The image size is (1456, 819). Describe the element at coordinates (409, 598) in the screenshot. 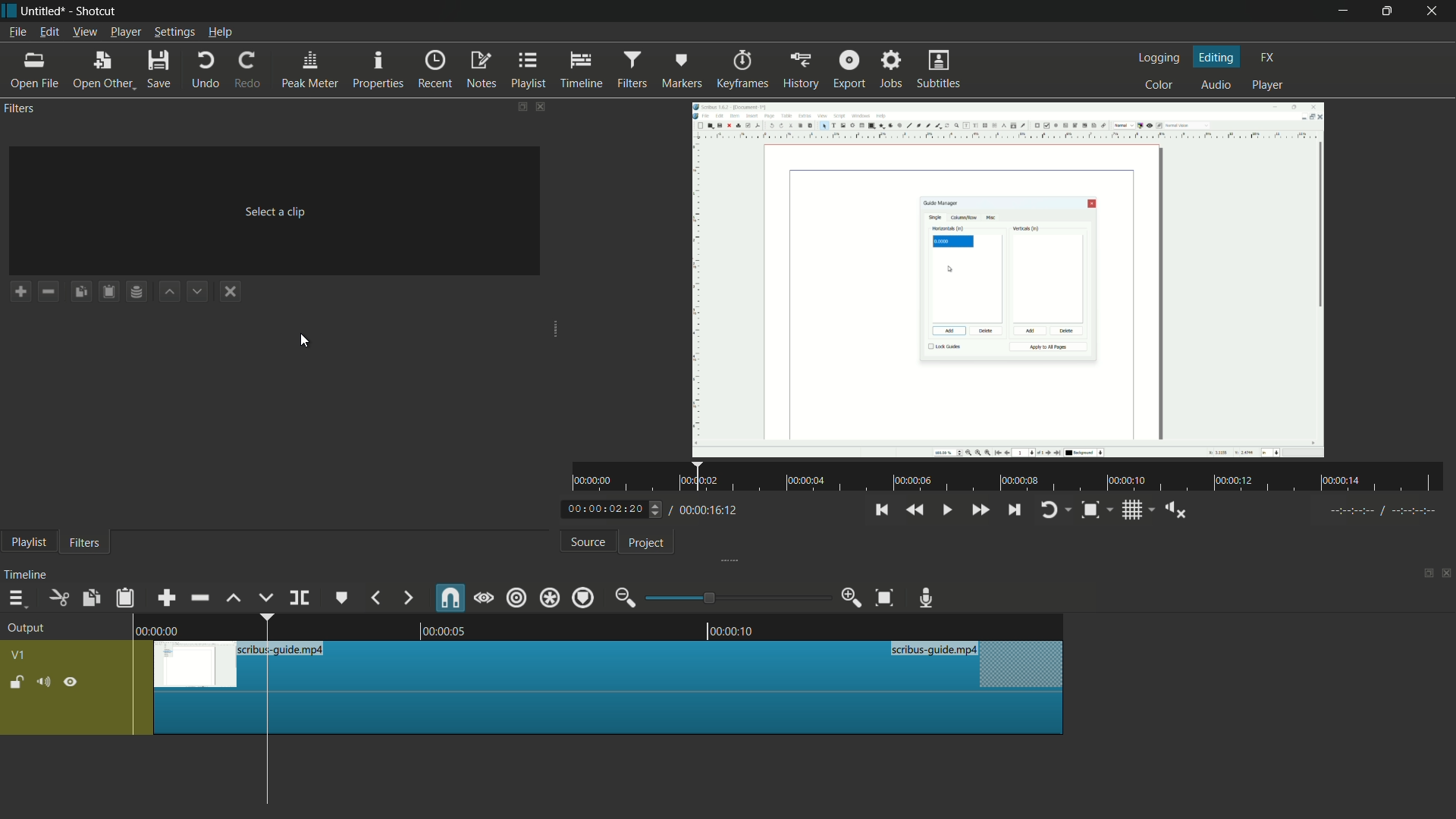

I see `next marker` at that location.